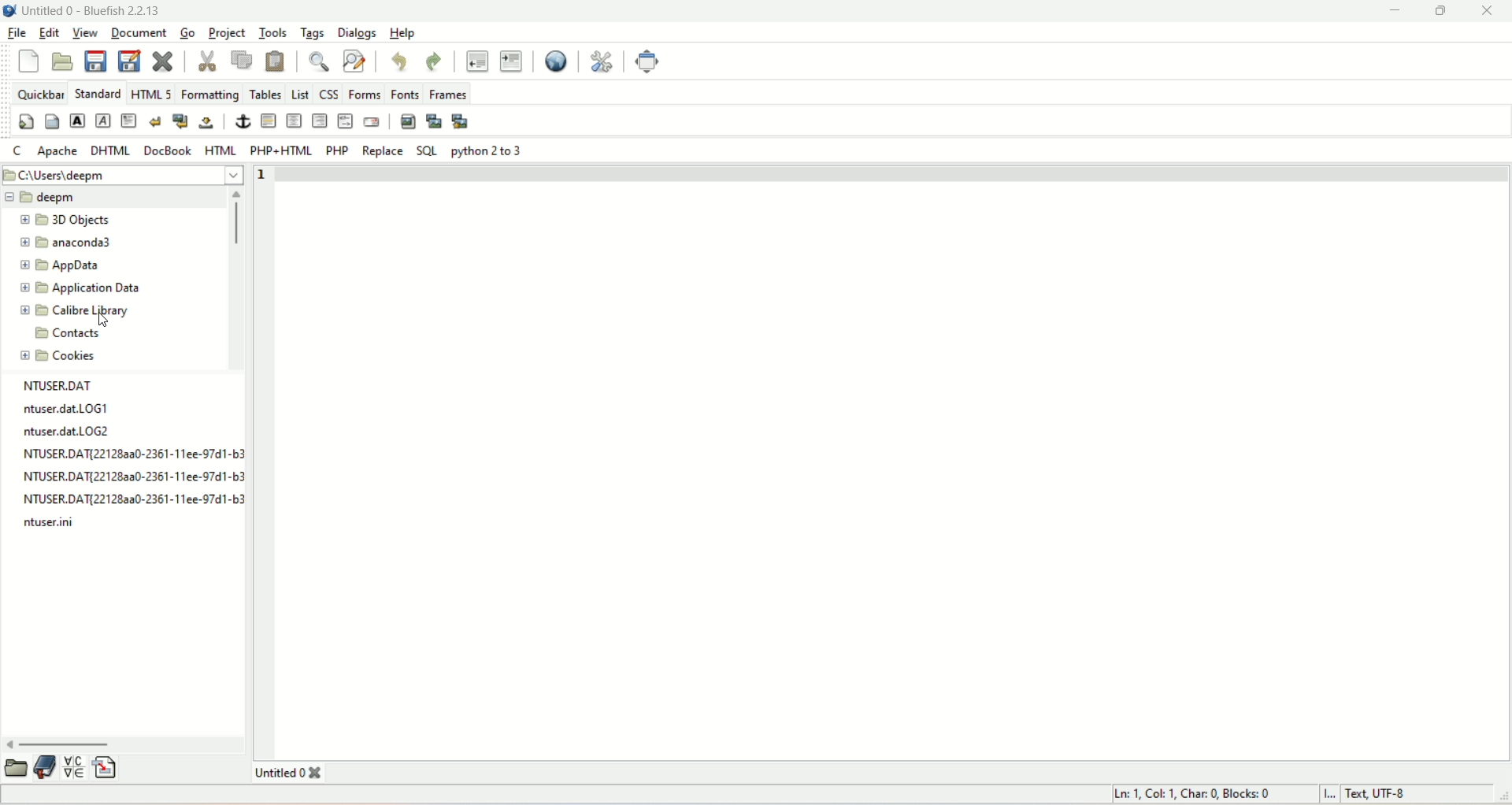  I want to click on insert file, so click(106, 766).